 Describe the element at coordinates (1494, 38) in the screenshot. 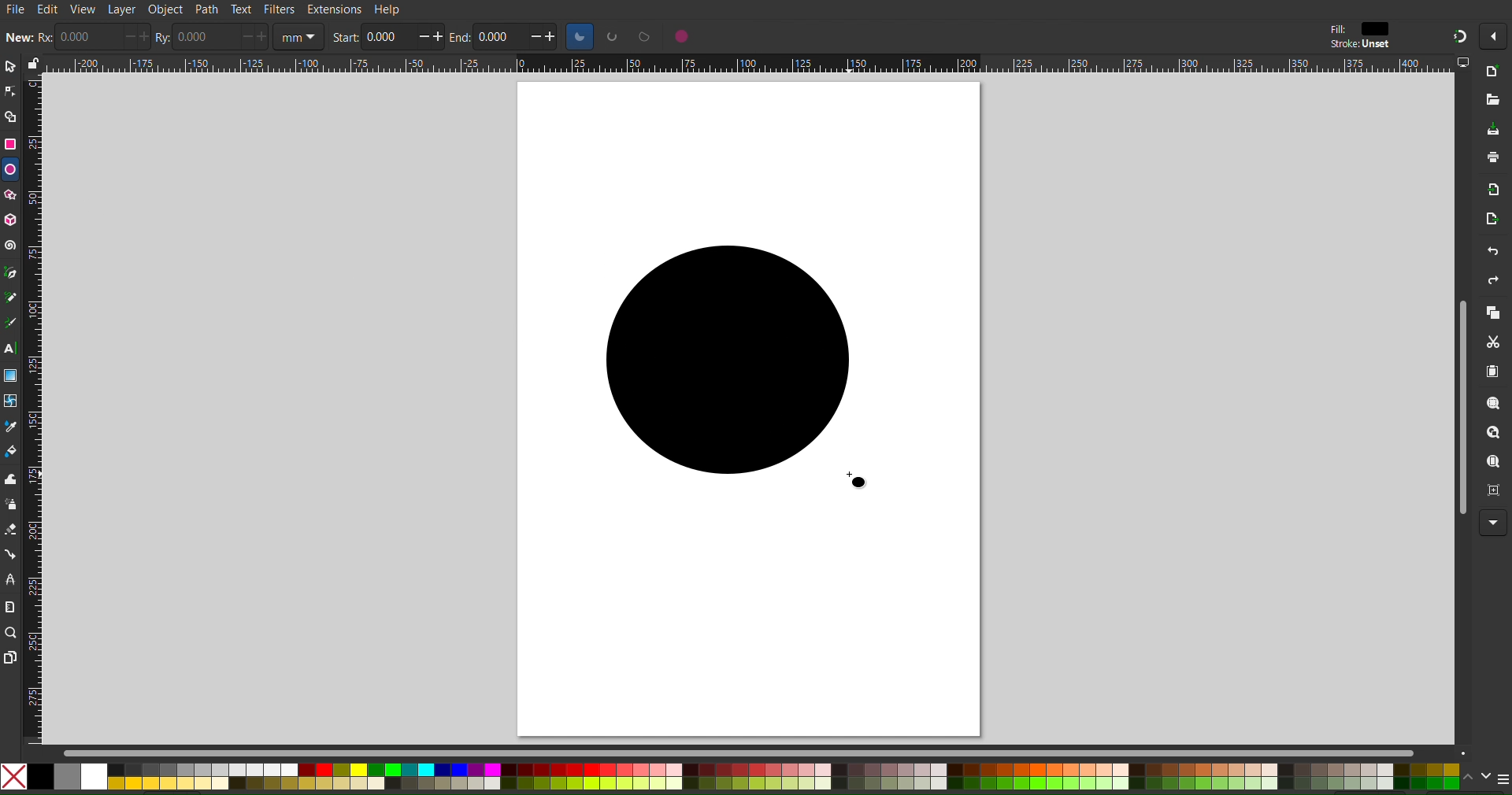

I see `More options` at that location.